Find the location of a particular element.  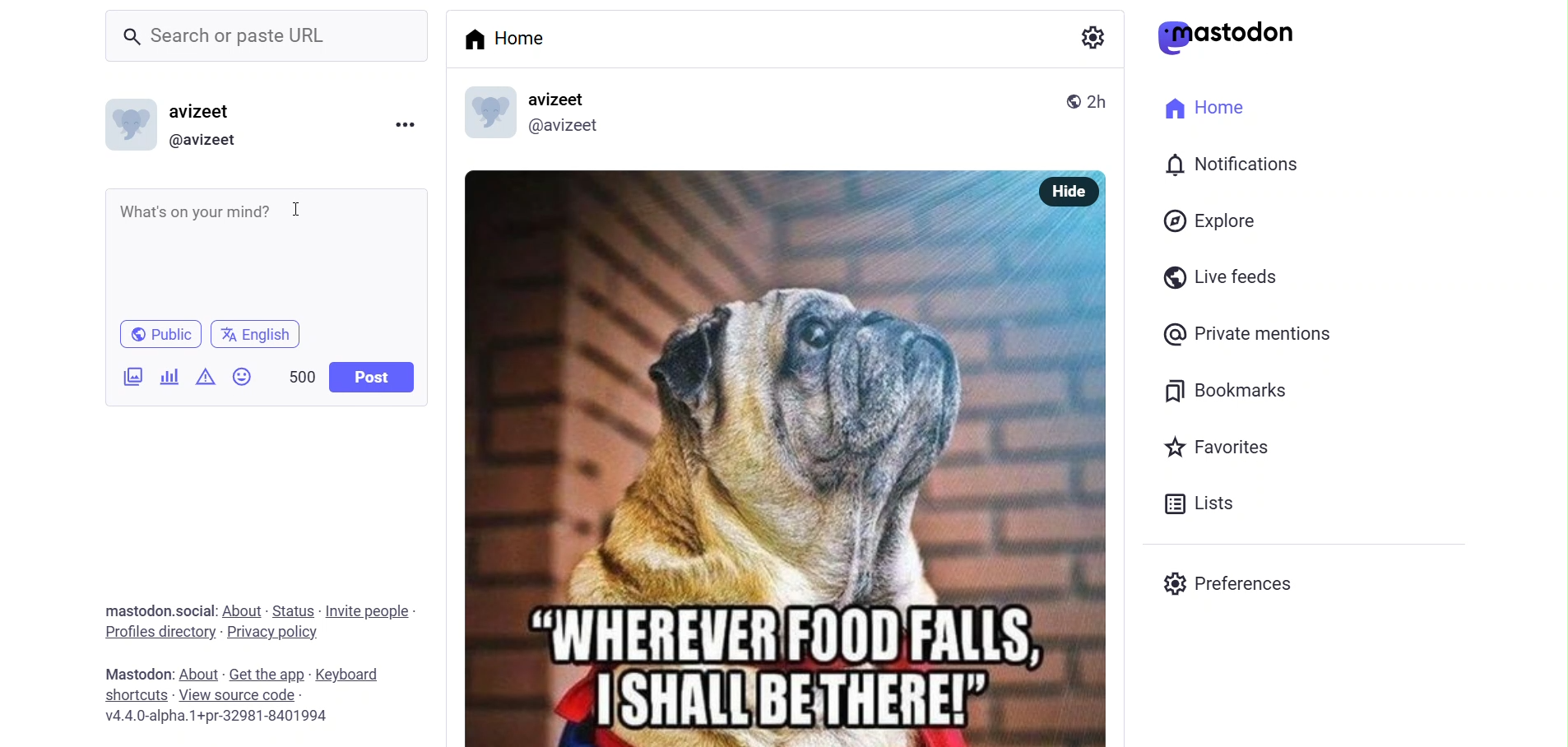

word limit is located at coordinates (299, 378).